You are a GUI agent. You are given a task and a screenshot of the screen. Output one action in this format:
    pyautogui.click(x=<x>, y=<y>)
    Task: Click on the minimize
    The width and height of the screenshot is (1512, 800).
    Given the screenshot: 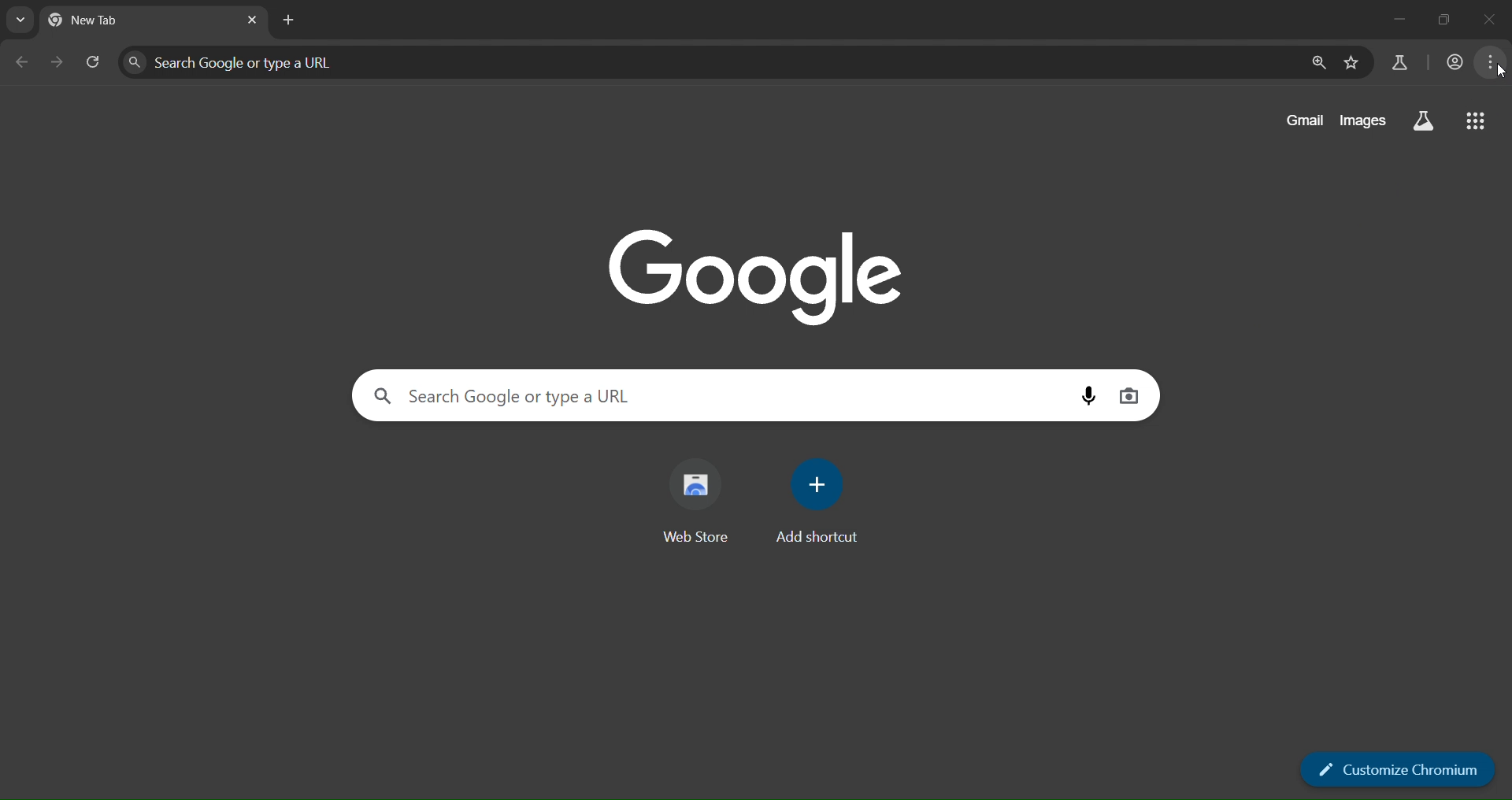 What is the action you would take?
    pyautogui.click(x=1384, y=22)
    